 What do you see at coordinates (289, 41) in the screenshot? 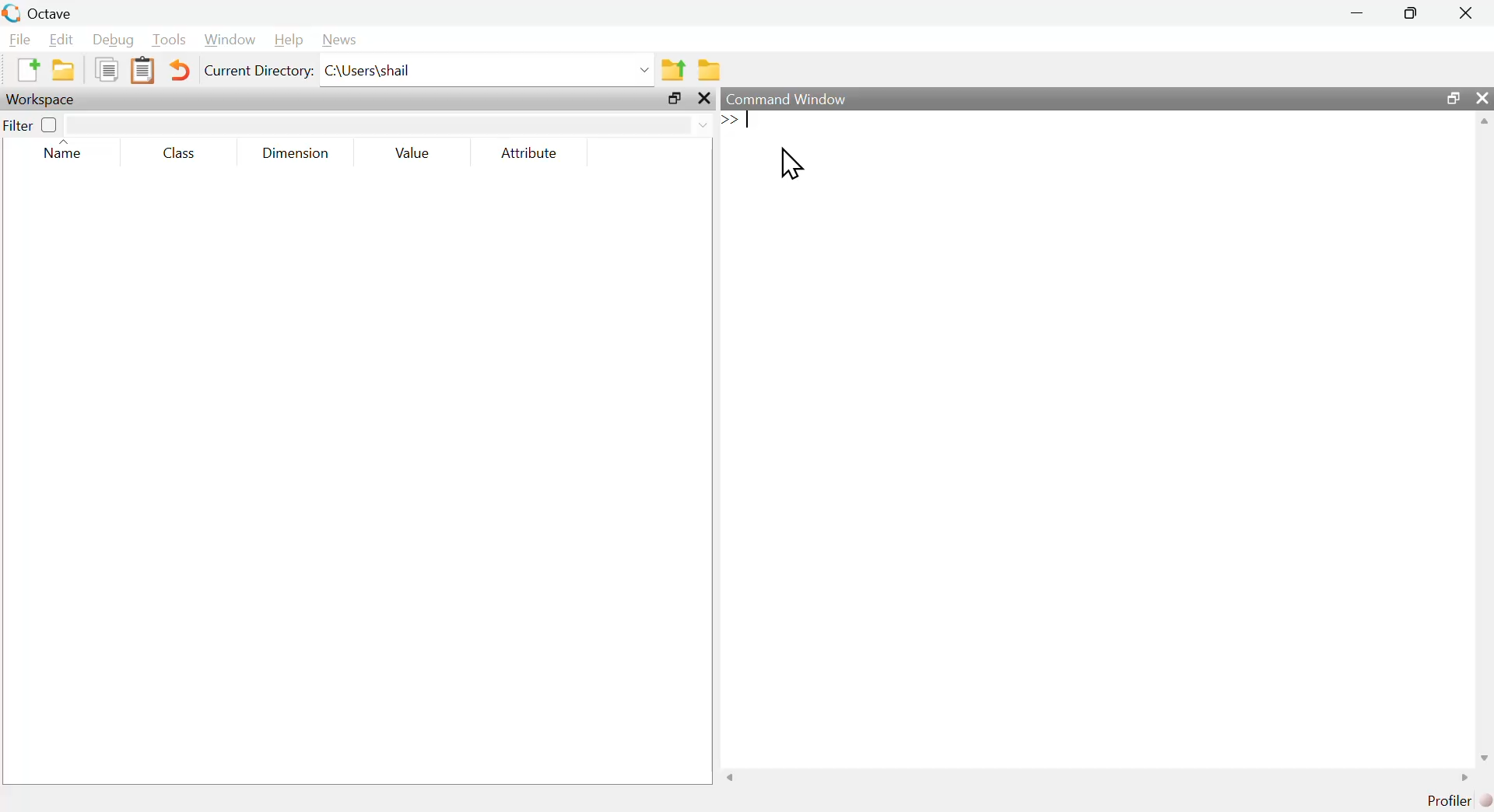
I see `Help` at bounding box center [289, 41].